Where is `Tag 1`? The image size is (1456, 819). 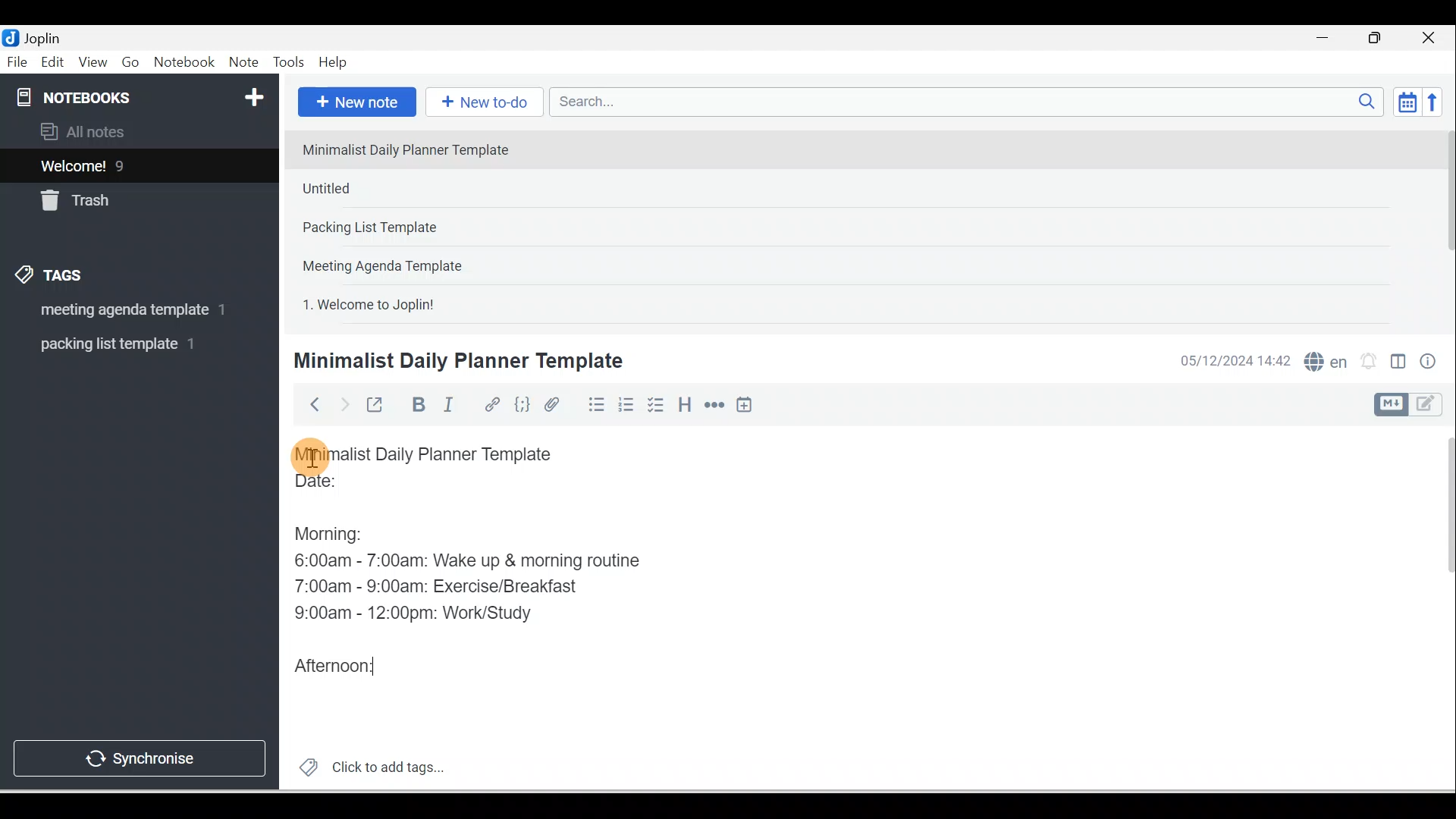 Tag 1 is located at coordinates (119, 311).